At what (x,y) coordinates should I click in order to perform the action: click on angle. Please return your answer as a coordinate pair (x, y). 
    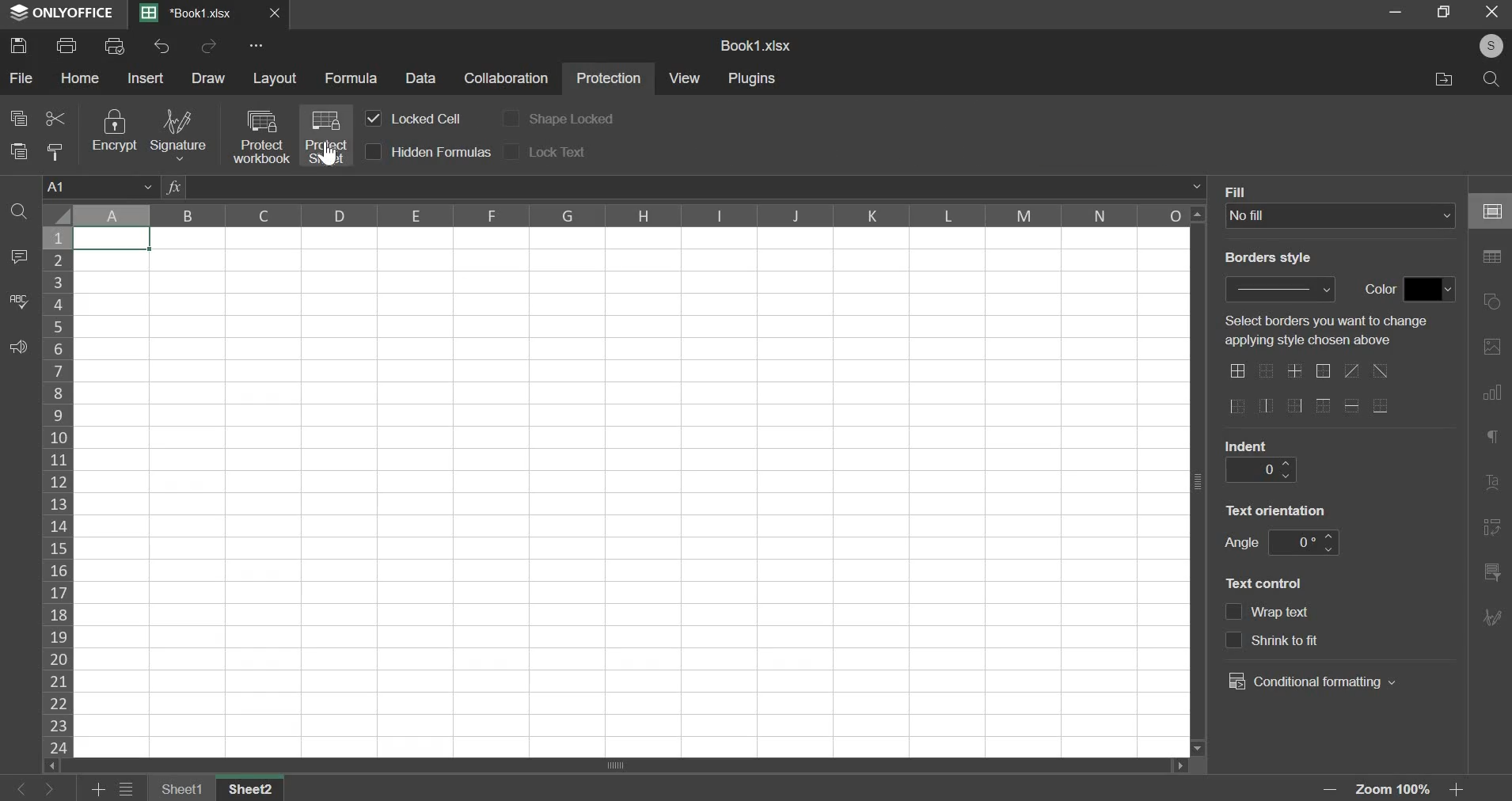
    Looking at the image, I should click on (1301, 543).